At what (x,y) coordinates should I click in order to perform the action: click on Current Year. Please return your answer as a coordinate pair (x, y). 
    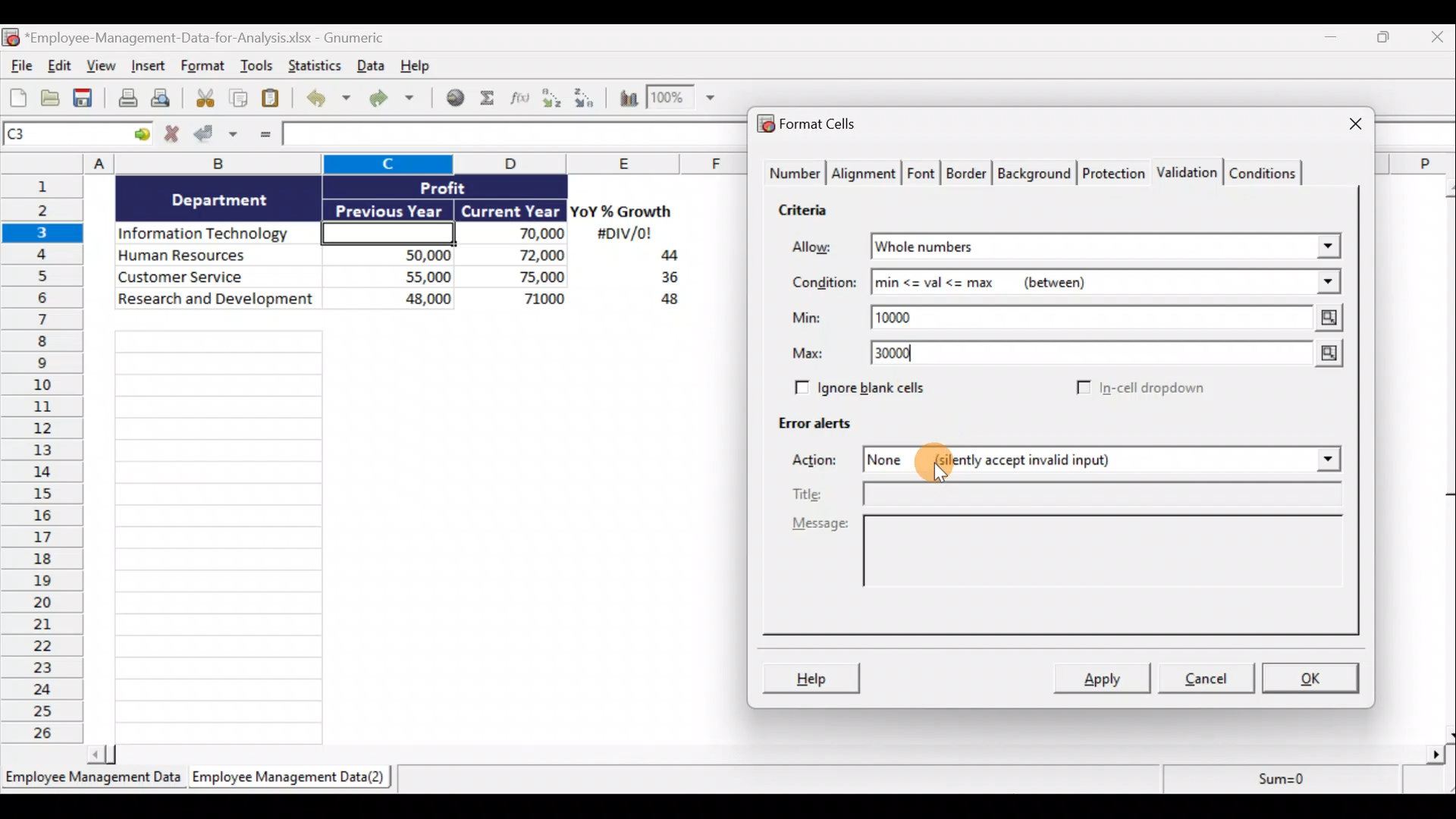
    Looking at the image, I should click on (509, 212).